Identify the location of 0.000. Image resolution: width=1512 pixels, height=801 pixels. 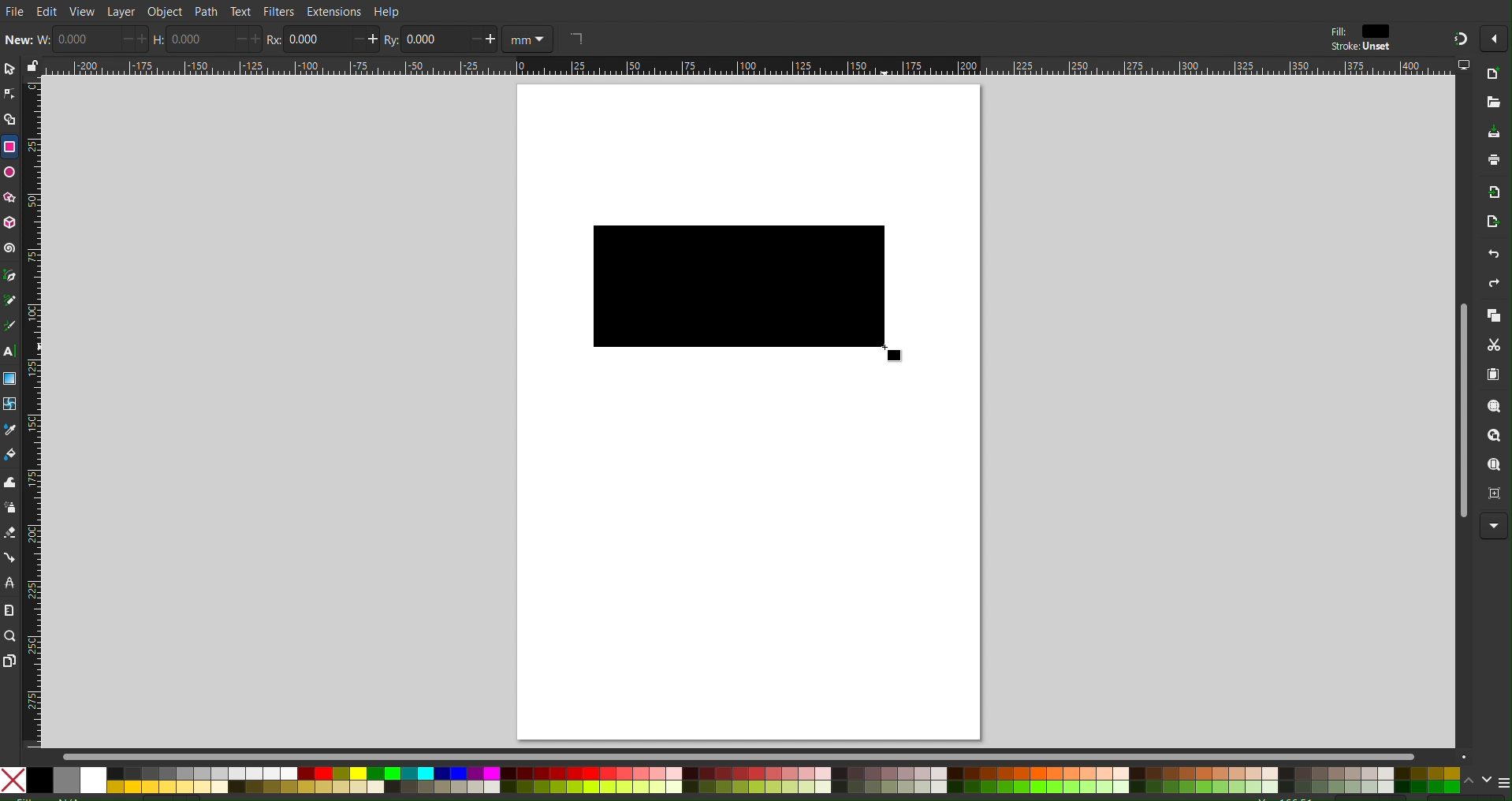
(88, 39).